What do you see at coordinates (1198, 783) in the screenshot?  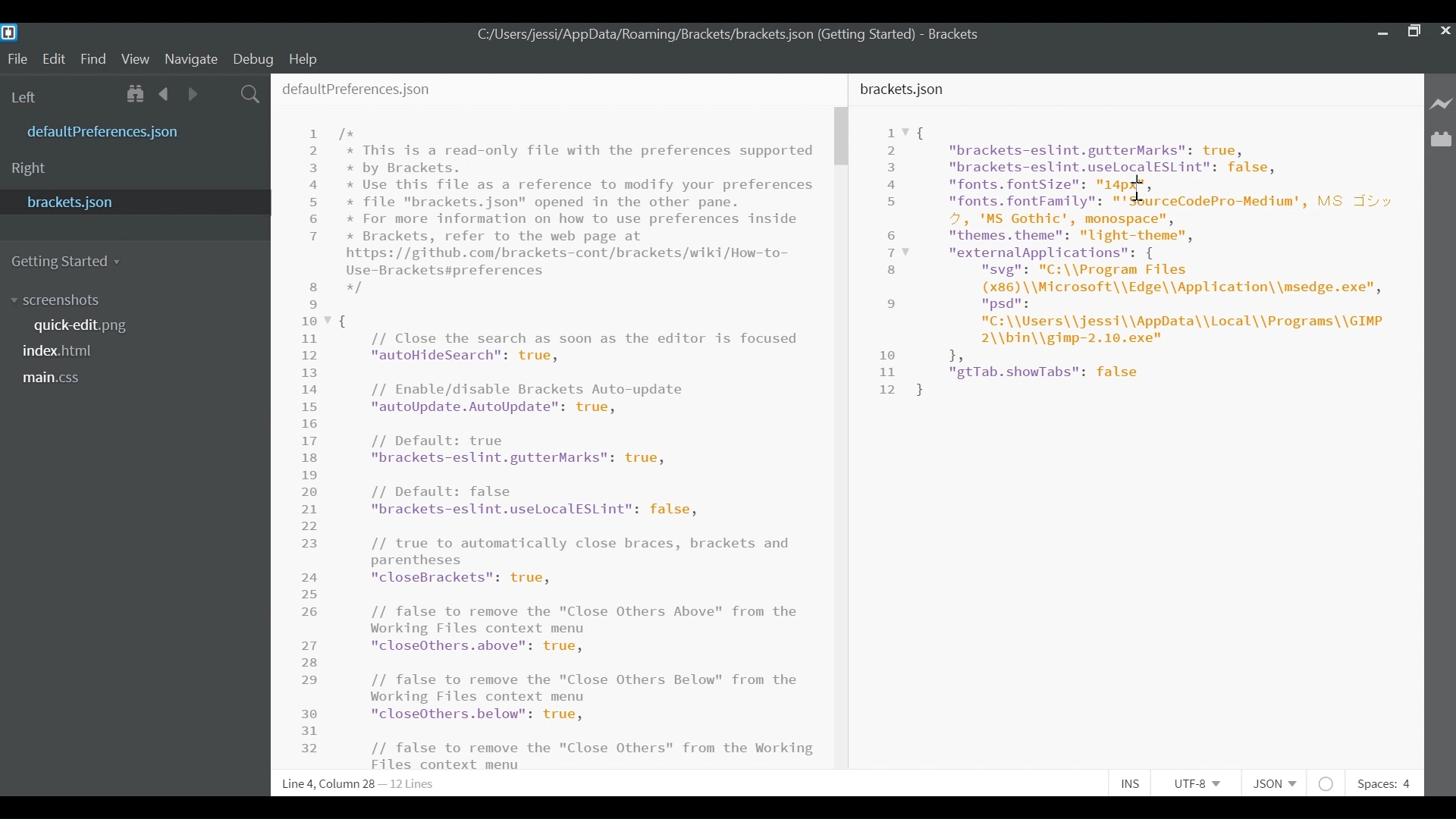 I see `File Encoding` at bounding box center [1198, 783].